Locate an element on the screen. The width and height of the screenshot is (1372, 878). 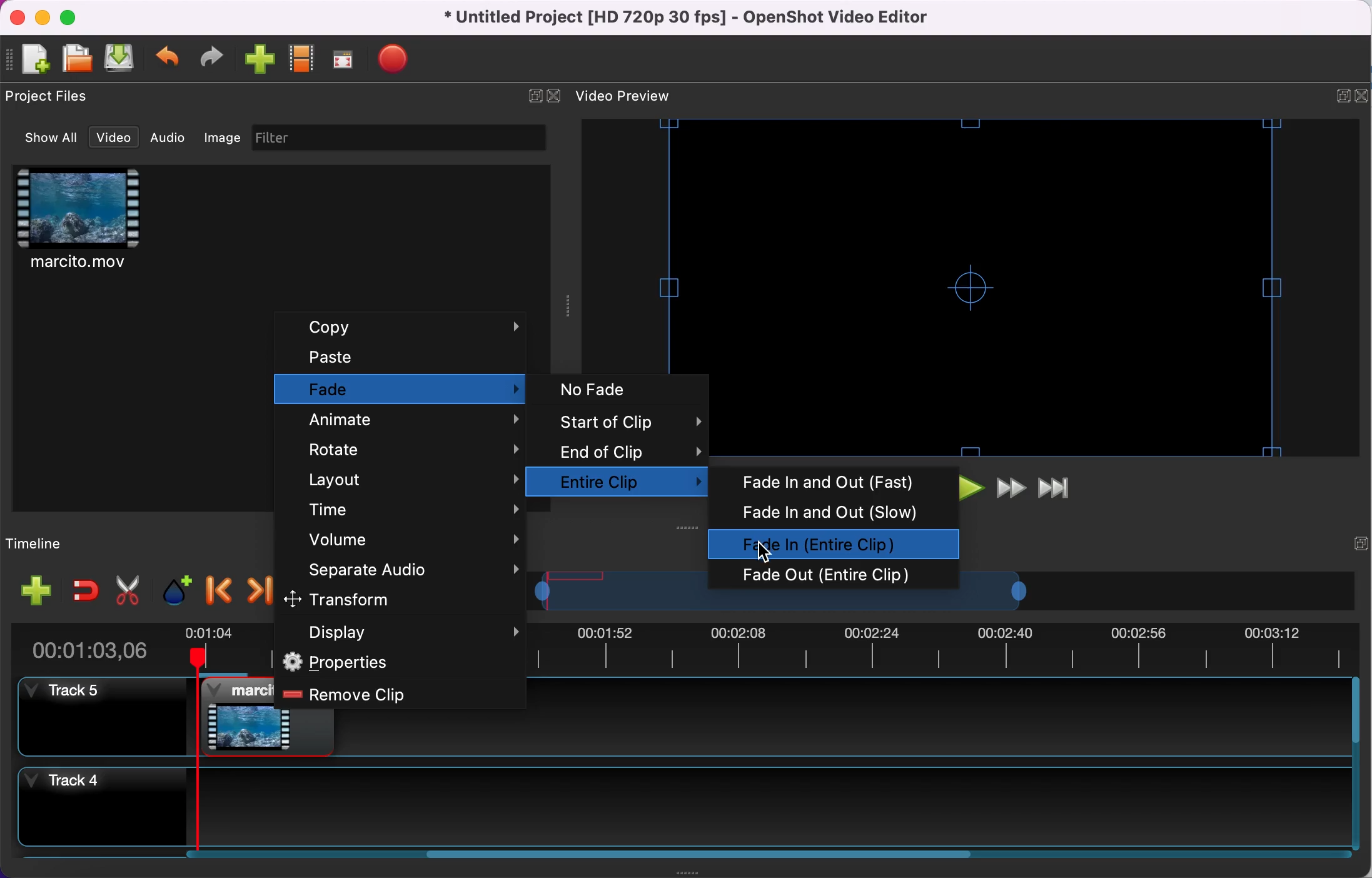
clip is located at coordinates (245, 717).